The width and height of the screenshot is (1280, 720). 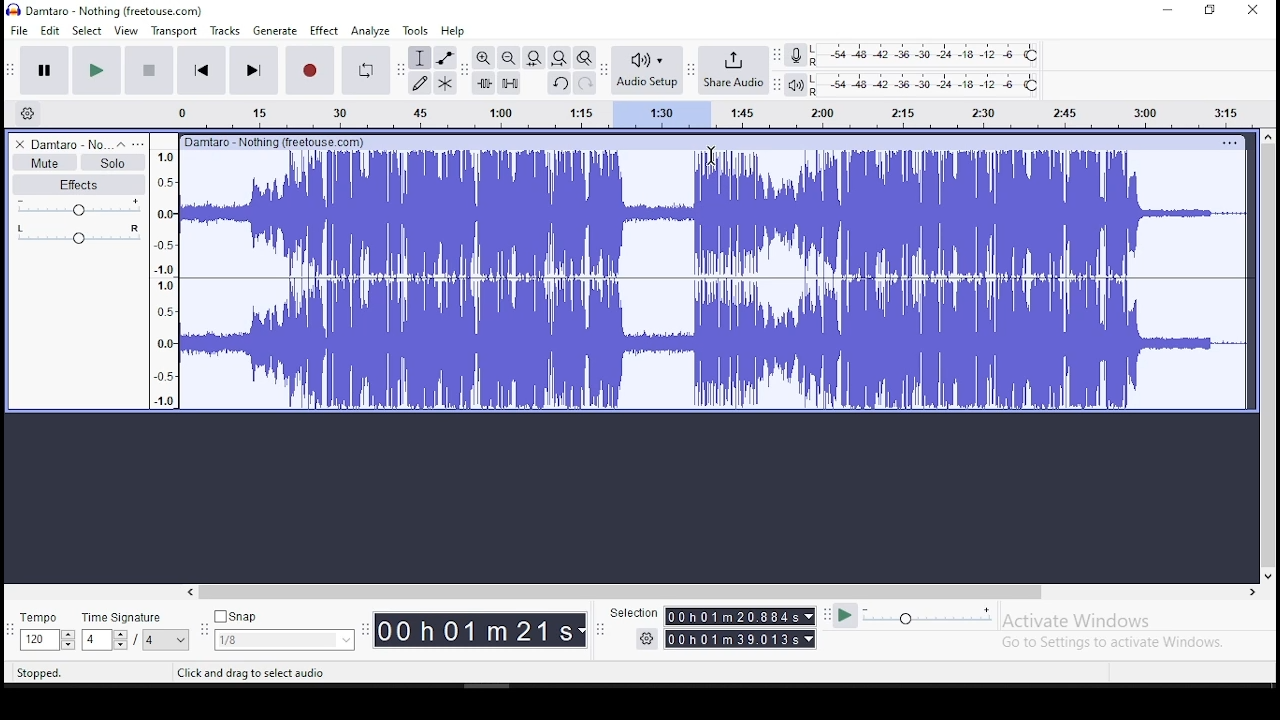 I want to click on , so click(x=8, y=629).